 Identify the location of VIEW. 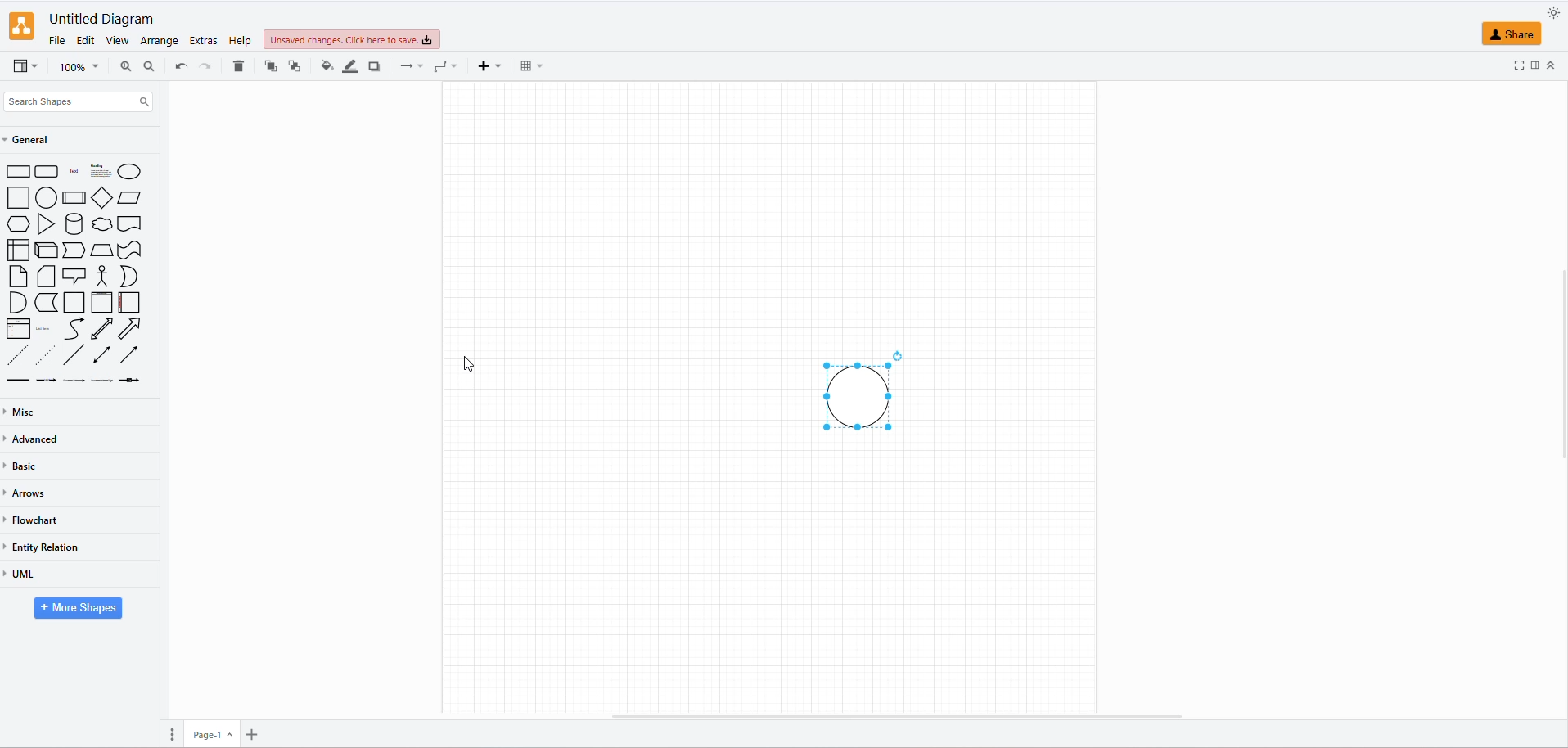
(113, 42).